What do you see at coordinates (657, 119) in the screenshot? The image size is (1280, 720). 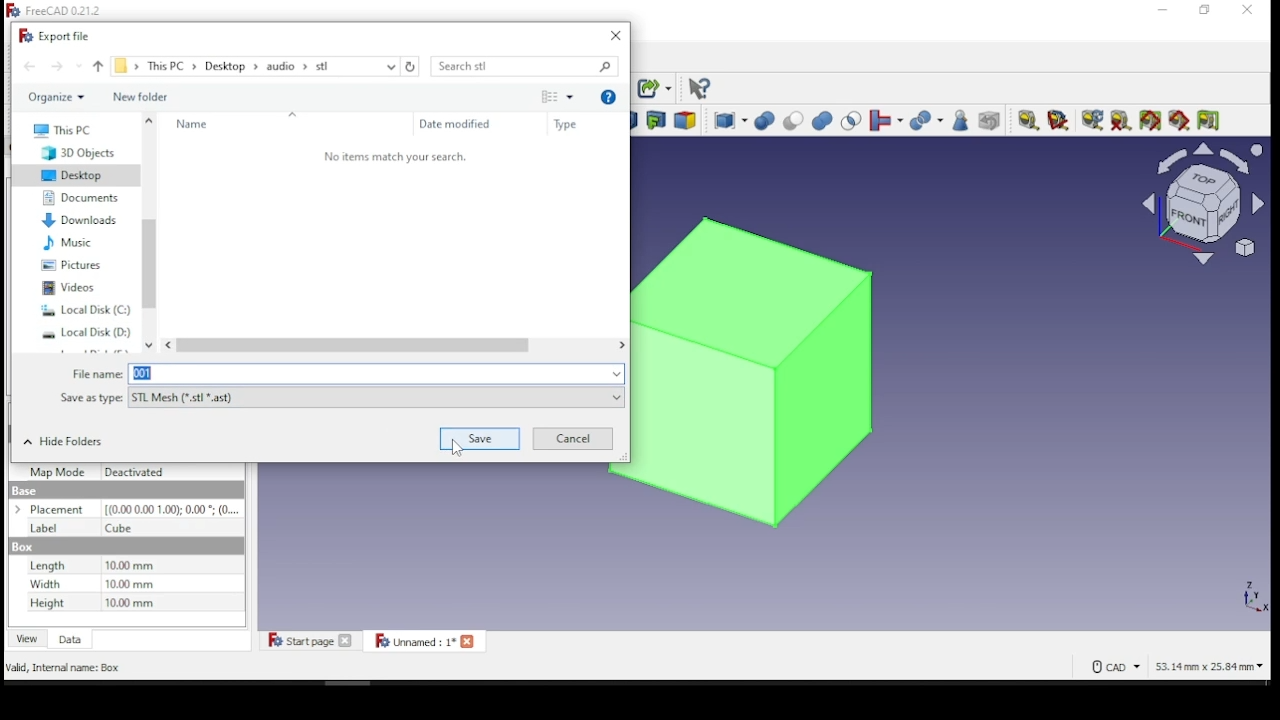 I see `make link` at bounding box center [657, 119].